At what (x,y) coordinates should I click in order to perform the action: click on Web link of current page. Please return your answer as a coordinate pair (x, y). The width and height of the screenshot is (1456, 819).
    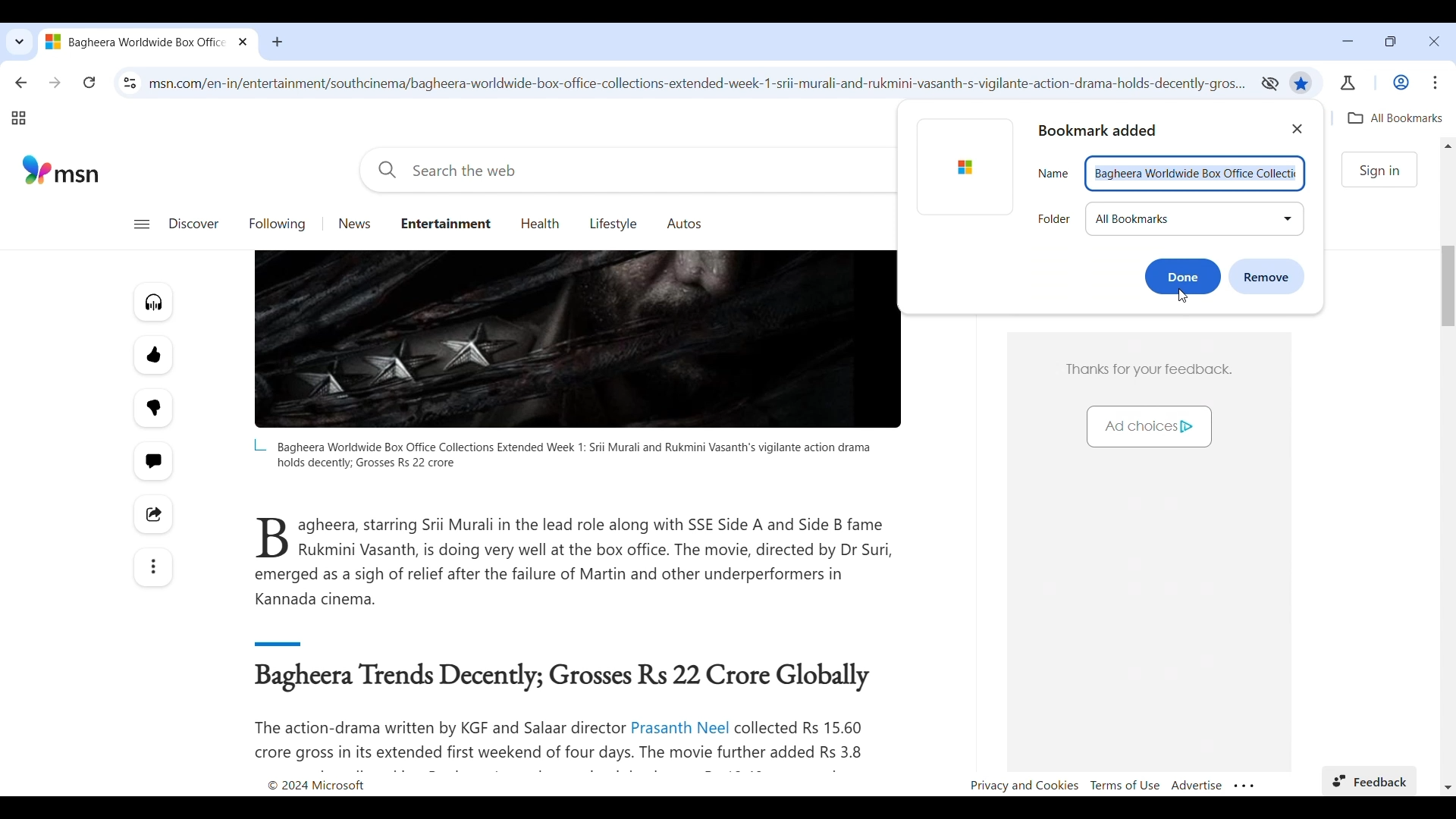
    Looking at the image, I should click on (699, 83).